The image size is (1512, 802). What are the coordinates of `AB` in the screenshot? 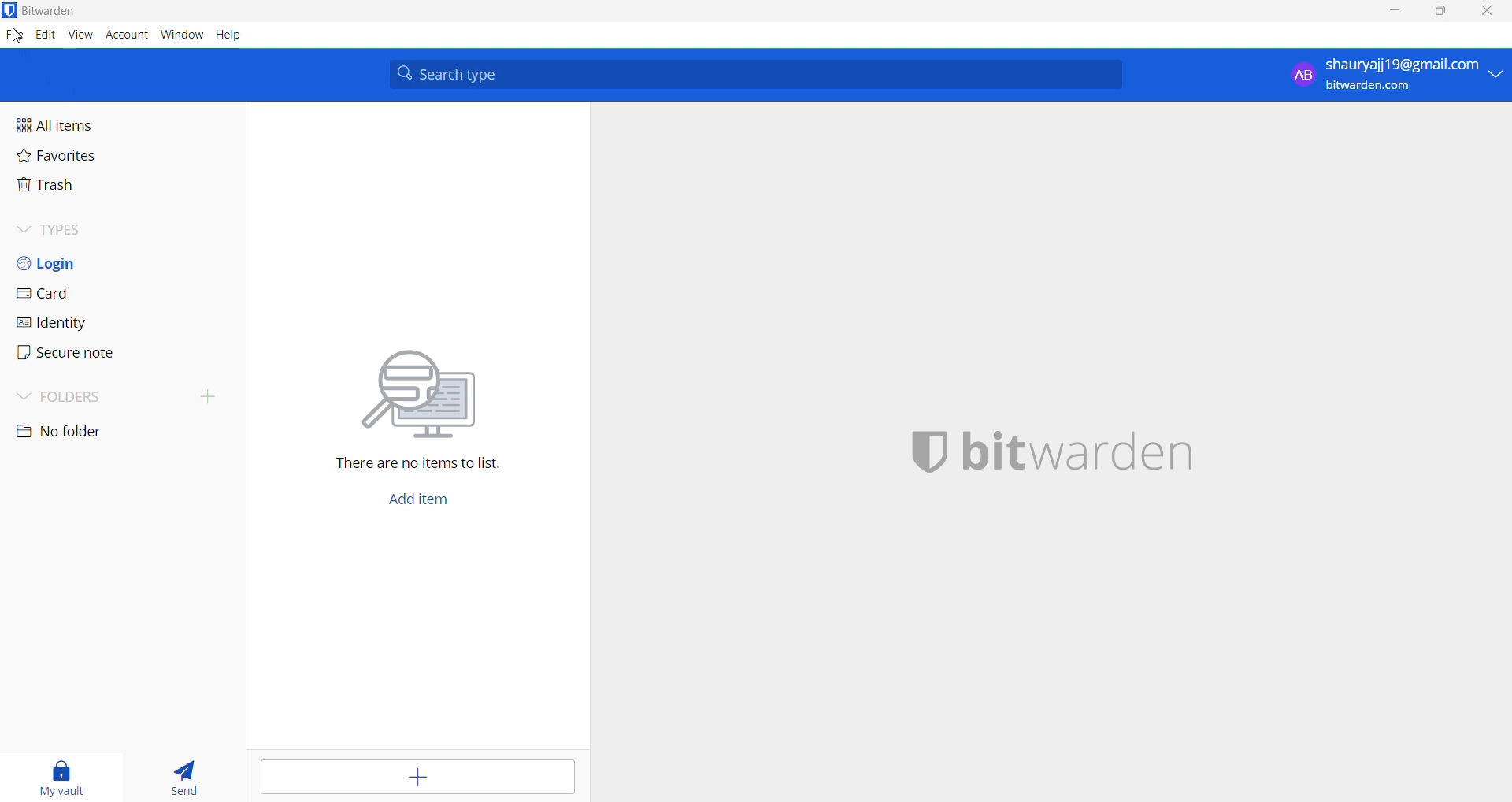 It's located at (1300, 76).